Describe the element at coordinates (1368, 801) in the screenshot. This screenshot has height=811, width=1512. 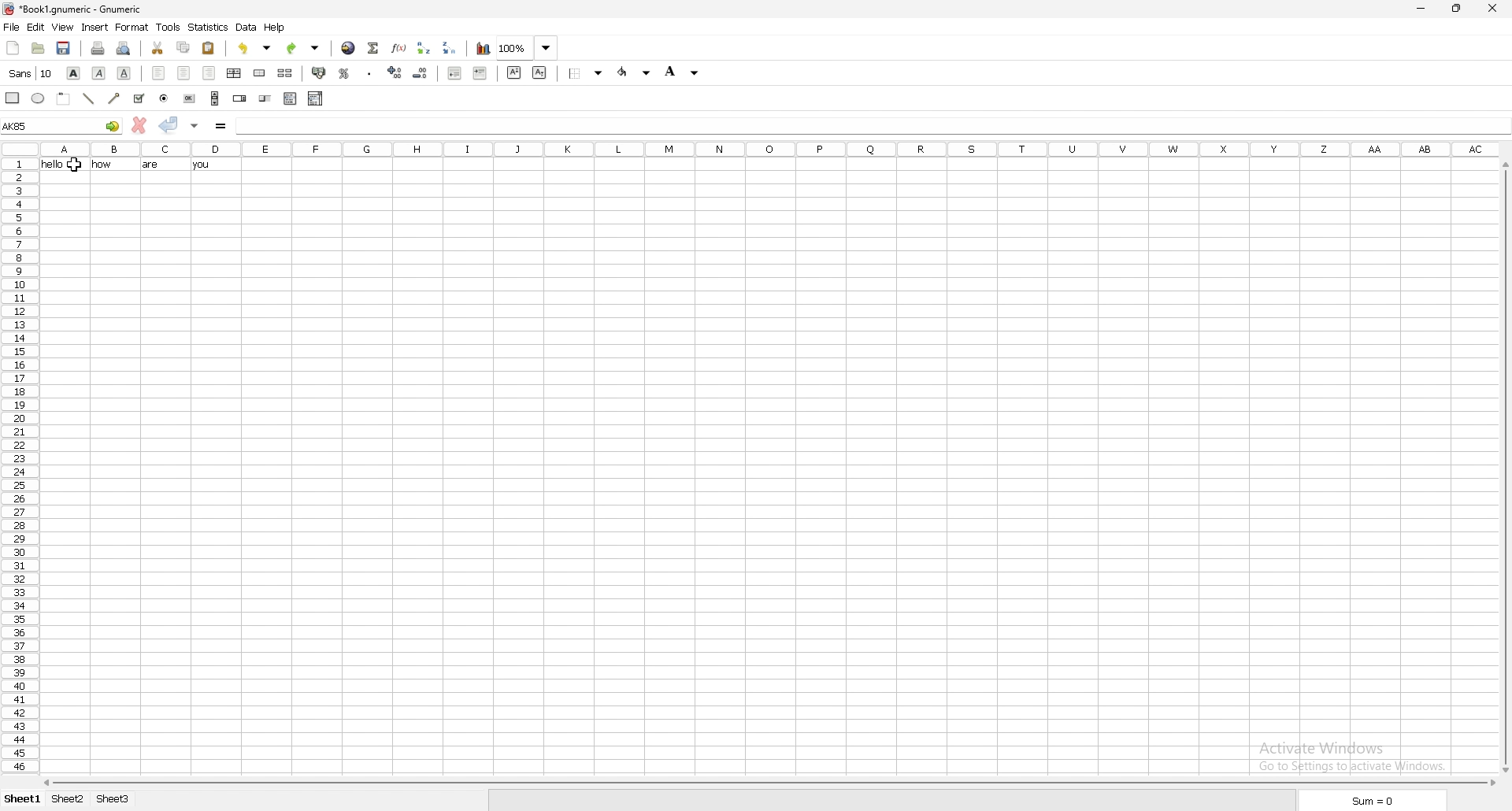
I see `sum` at that location.